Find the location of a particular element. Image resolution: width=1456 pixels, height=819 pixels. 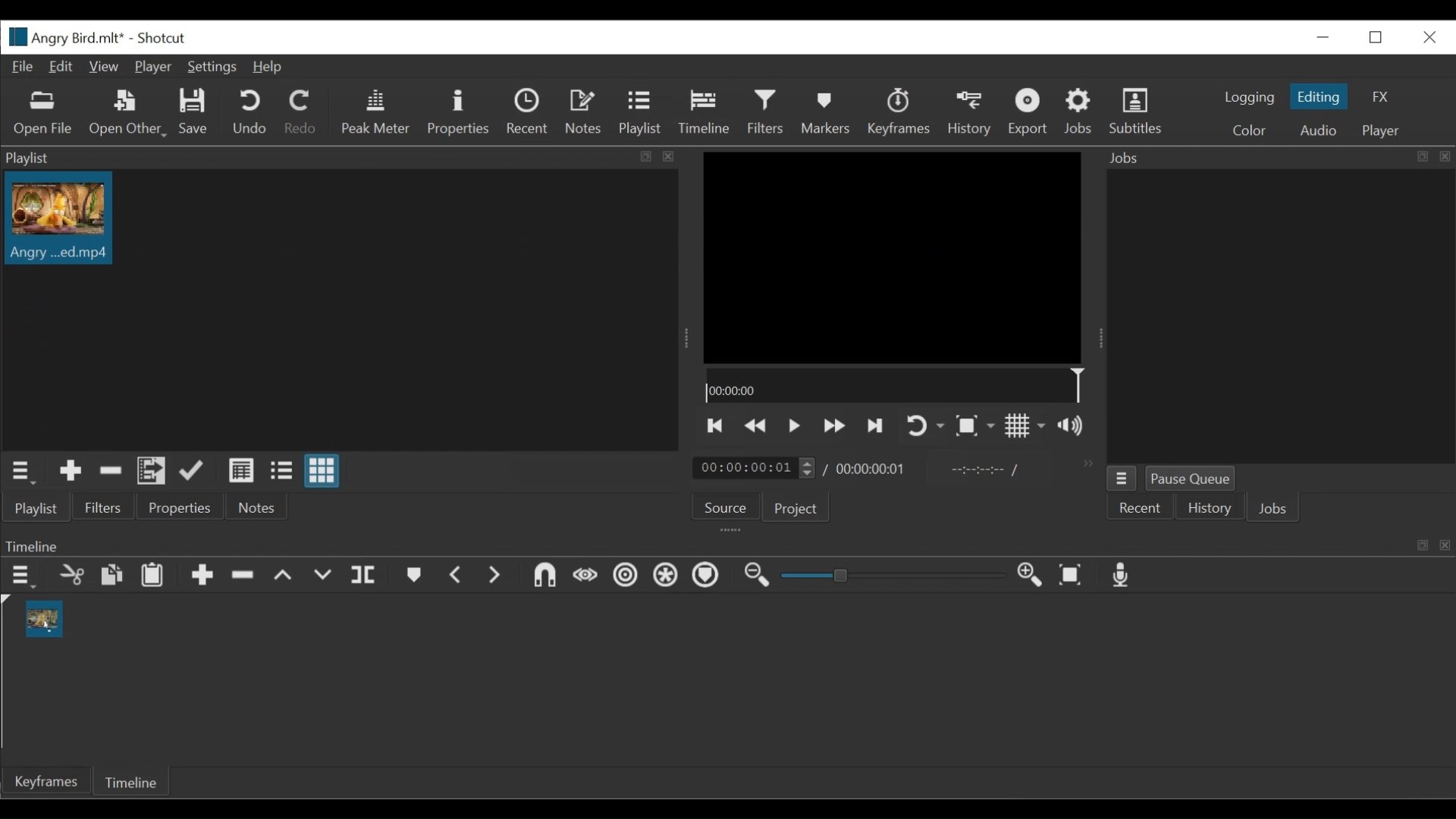

Zoom slider is located at coordinates (898, 575).